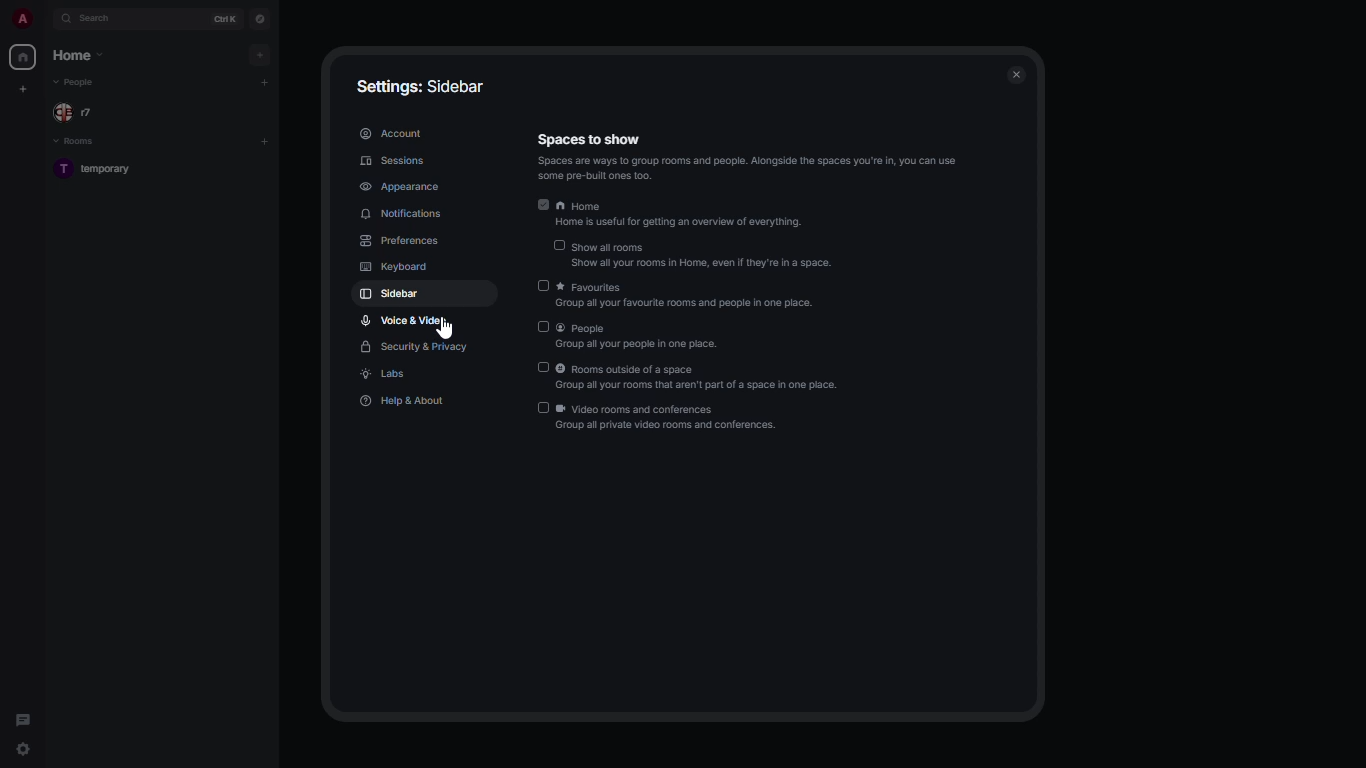  I want to click on preferences, so click(405, 240).